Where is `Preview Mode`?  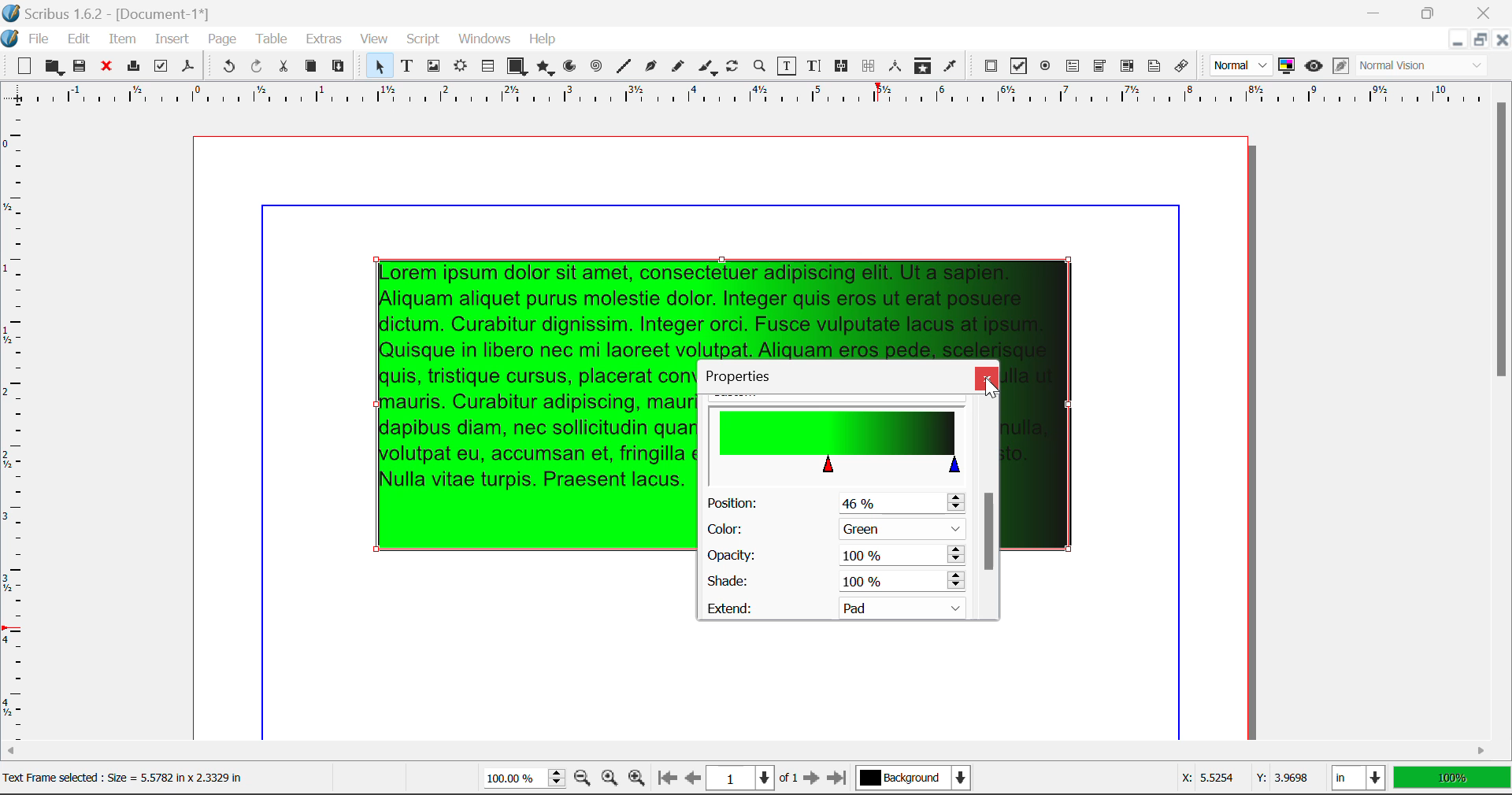
Preview Mode is located at coordinates (1314, 66).